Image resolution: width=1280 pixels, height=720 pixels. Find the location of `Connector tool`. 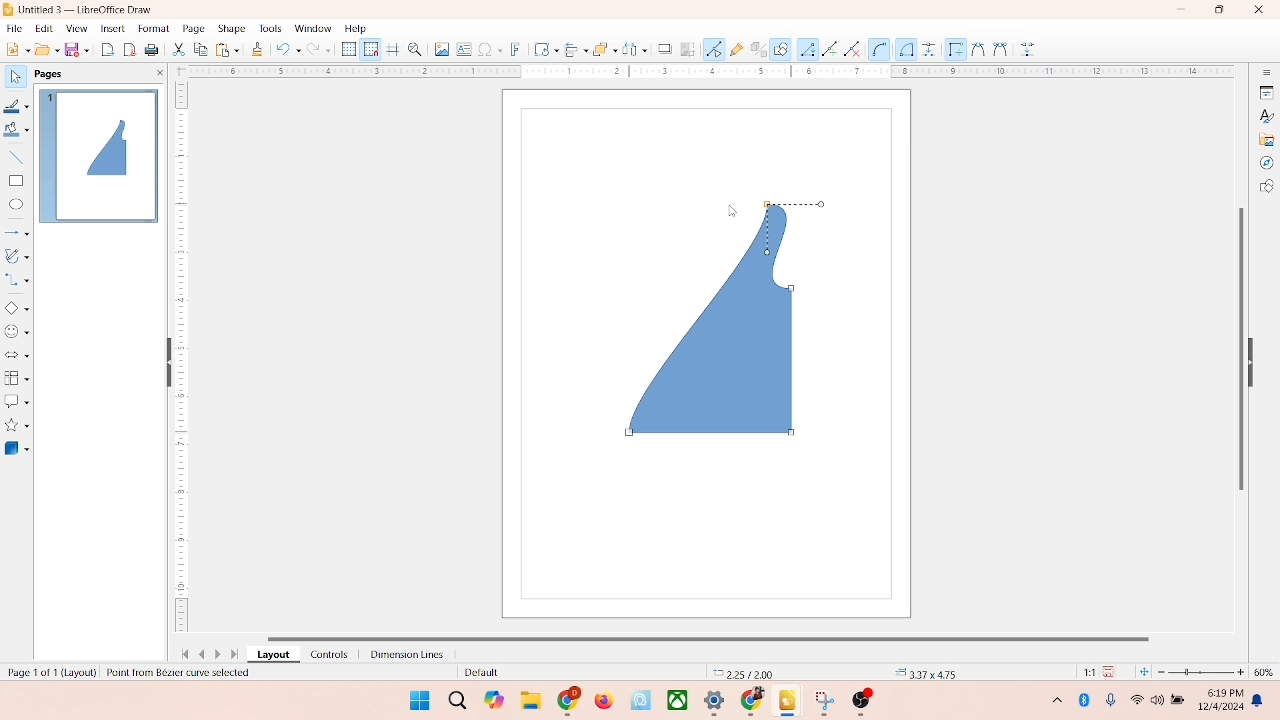

Connector tool is located at coordinates (906, 49).